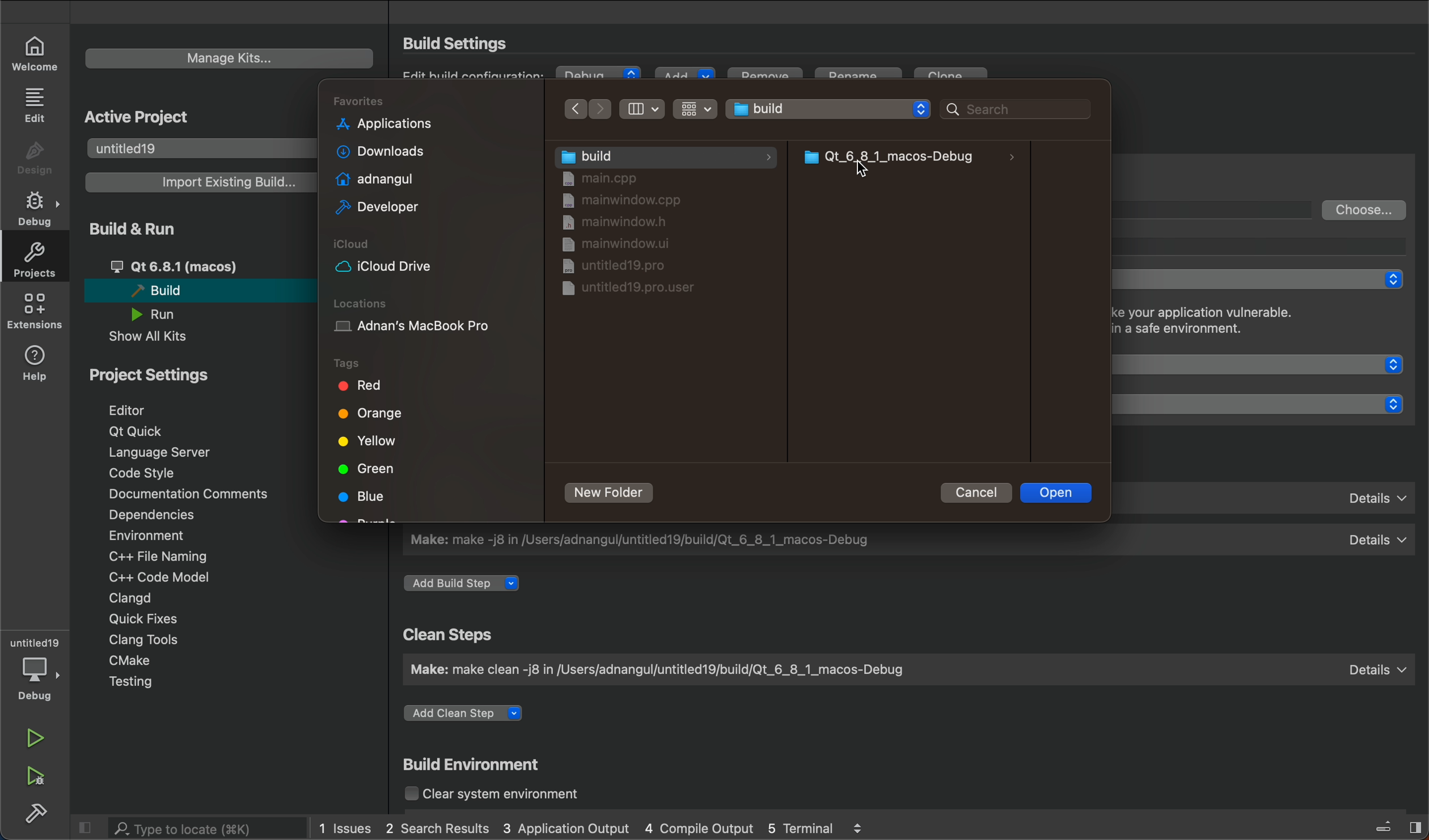 The width and height of the screenshot is (1429, 840). Describe the element at coordinates (34, 311) in the screenshot. I see `extensions` at that location.